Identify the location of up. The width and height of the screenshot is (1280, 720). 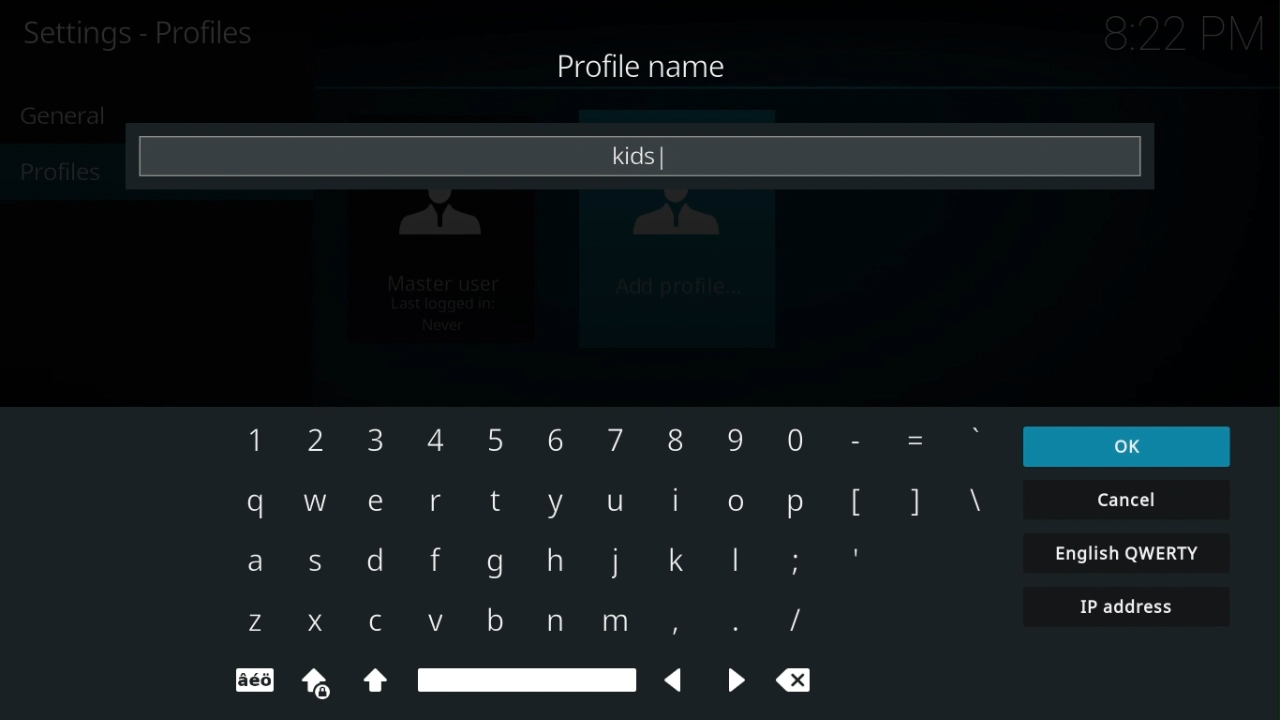
(375, 680).